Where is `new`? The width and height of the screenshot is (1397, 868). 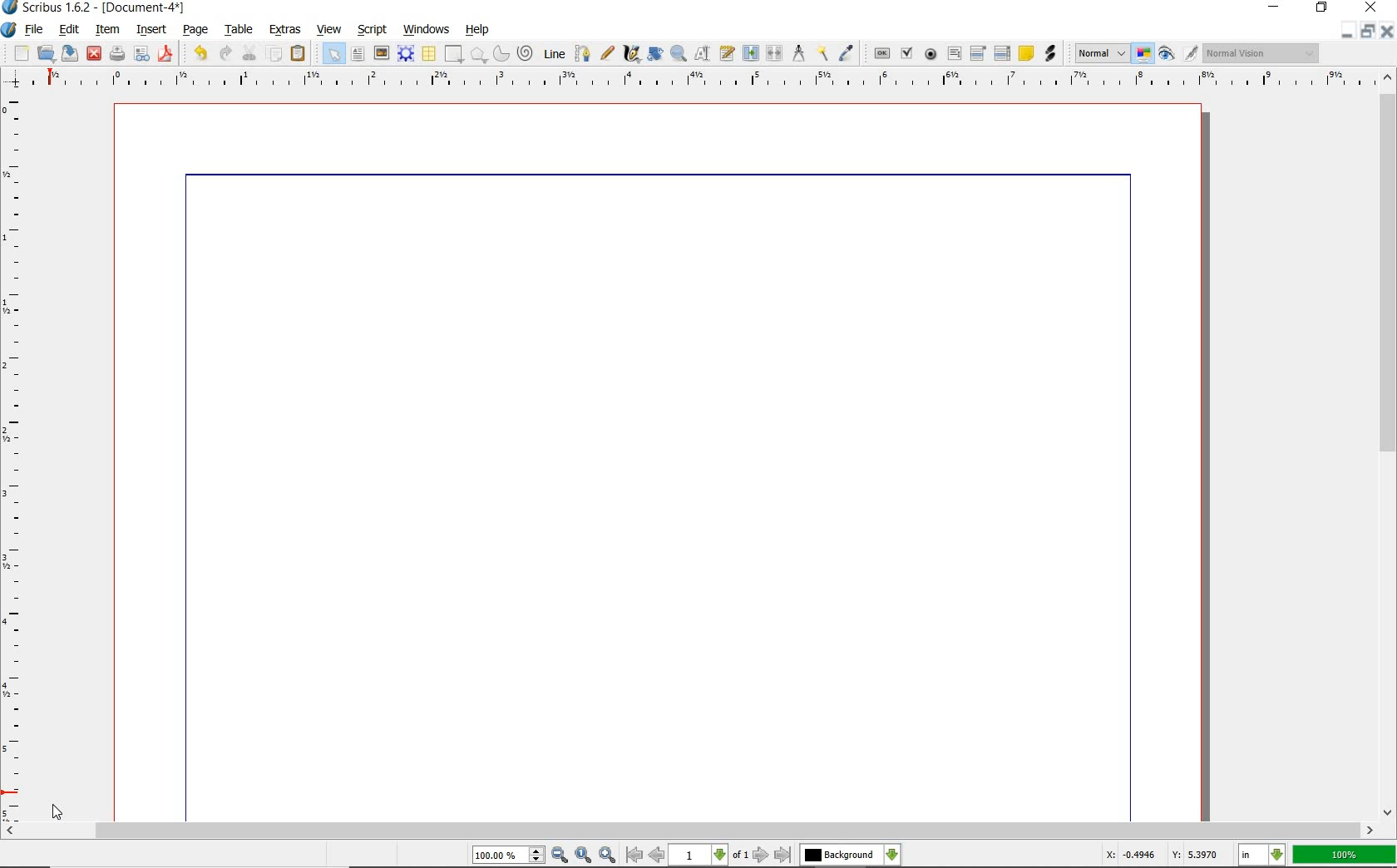 new is located at coordinates (16, 53).